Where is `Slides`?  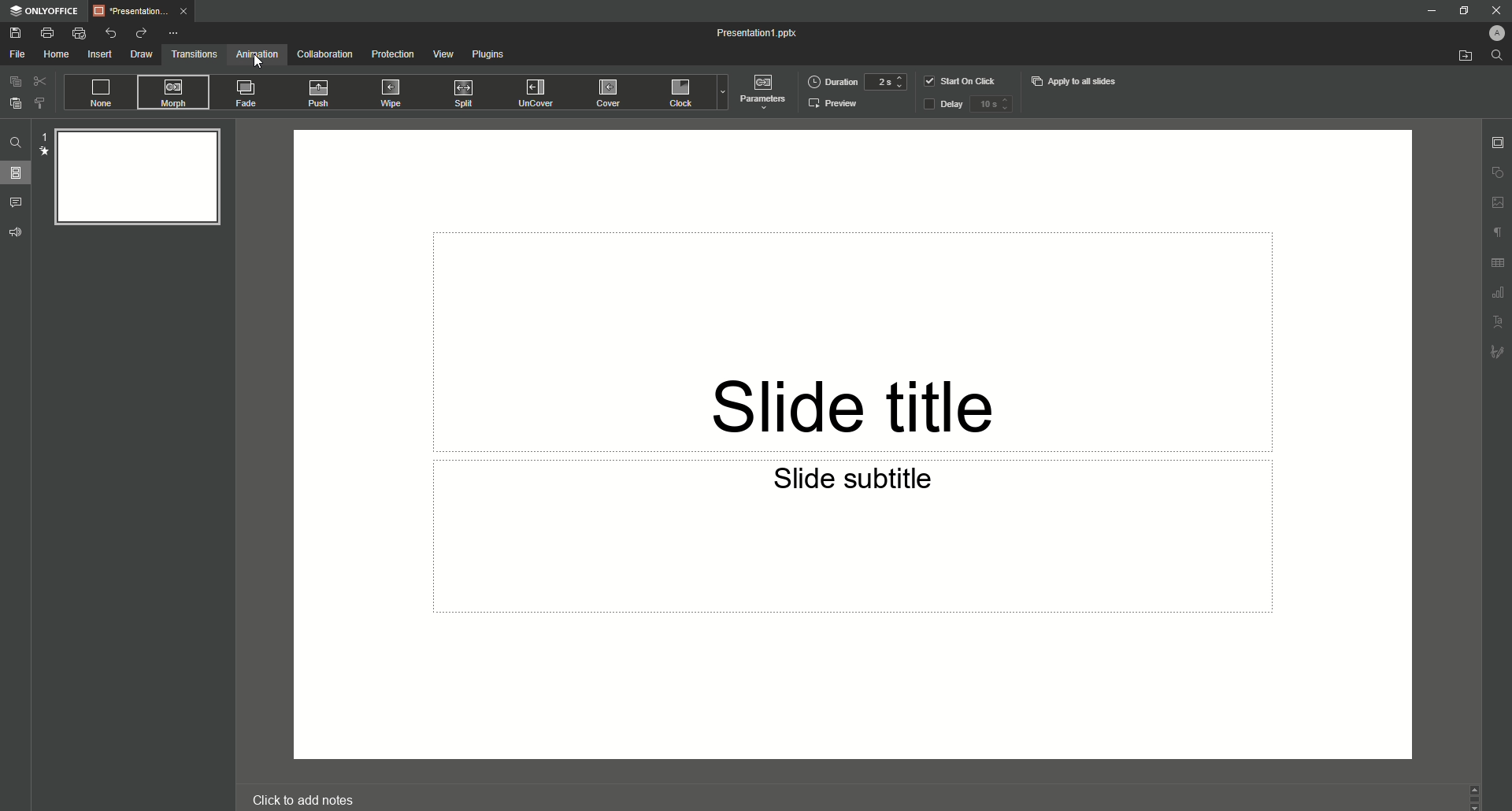
Slides is located at coordinates (17, 172).